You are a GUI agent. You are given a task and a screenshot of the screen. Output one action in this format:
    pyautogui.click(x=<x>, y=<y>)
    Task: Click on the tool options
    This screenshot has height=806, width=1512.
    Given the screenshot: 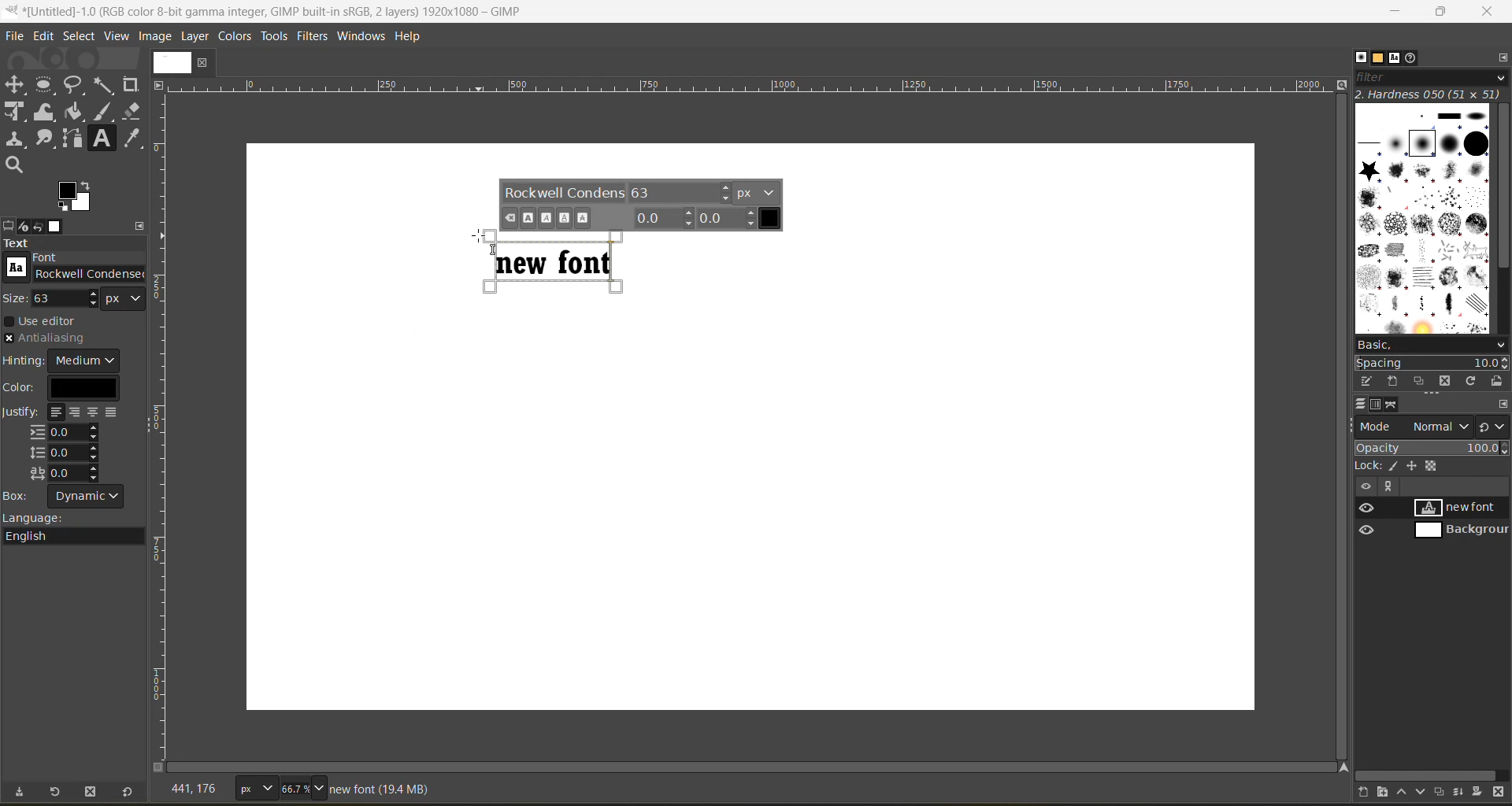 What is the action you would take?
    pyautogui.click(x=9, y=225)
    